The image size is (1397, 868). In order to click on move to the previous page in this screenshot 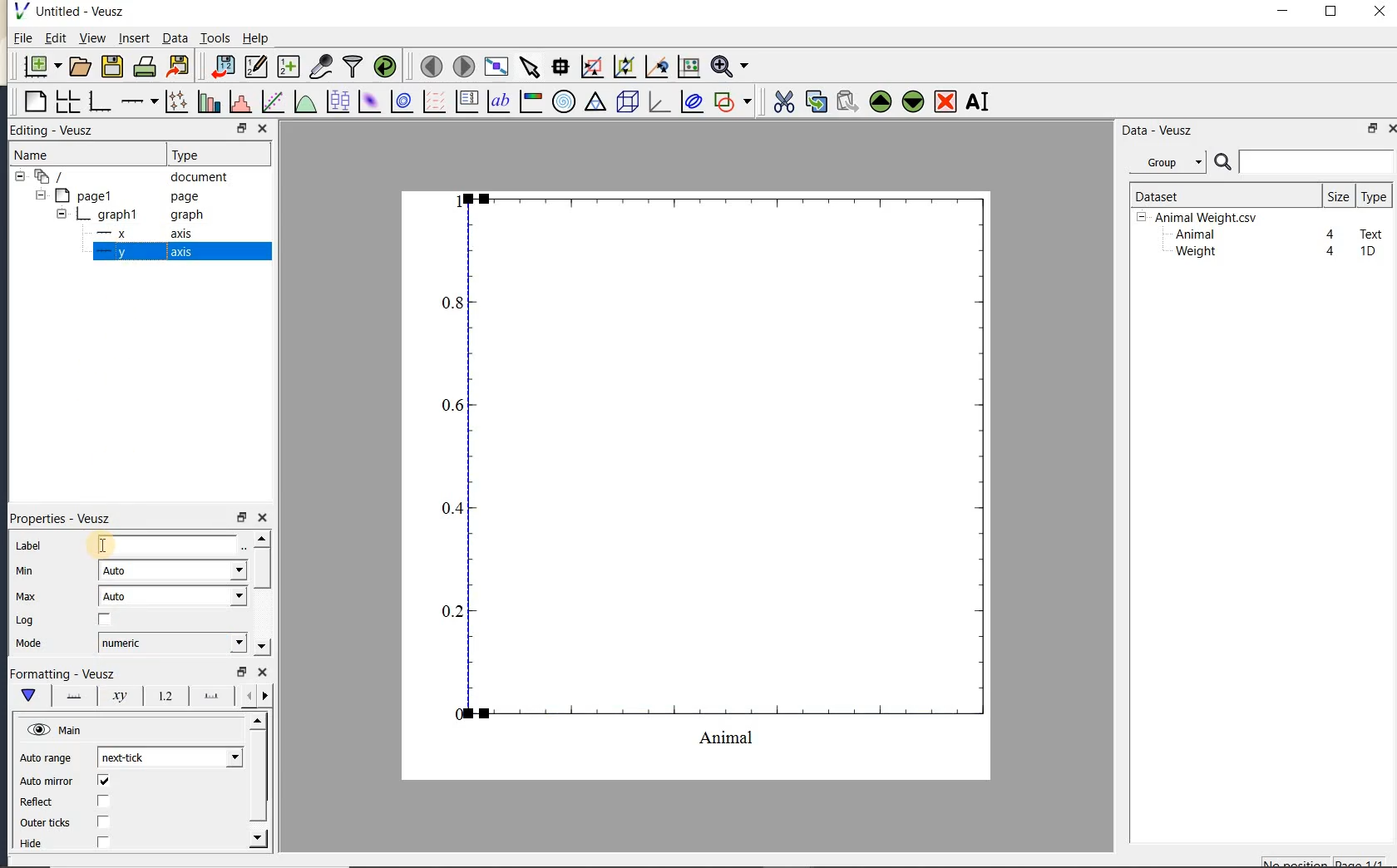, I will do `click(428, 65)`.